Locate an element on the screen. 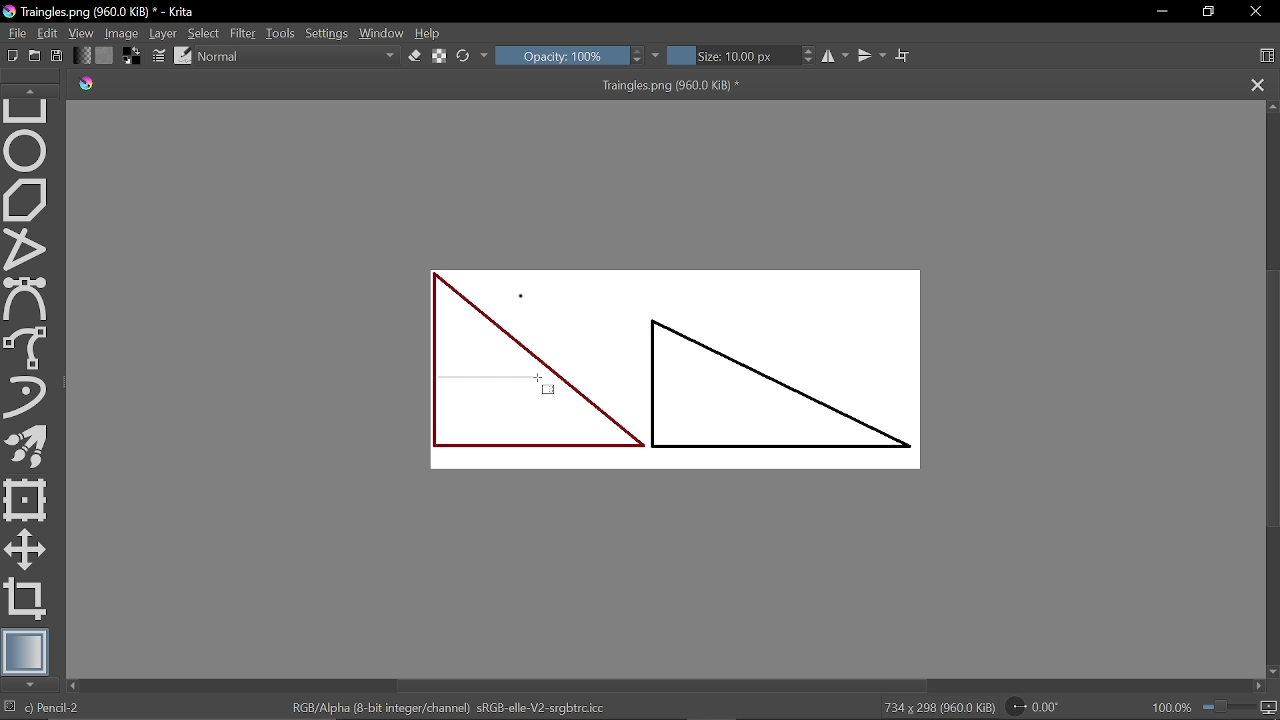  Two triangles is located at coordinates (691, 366).